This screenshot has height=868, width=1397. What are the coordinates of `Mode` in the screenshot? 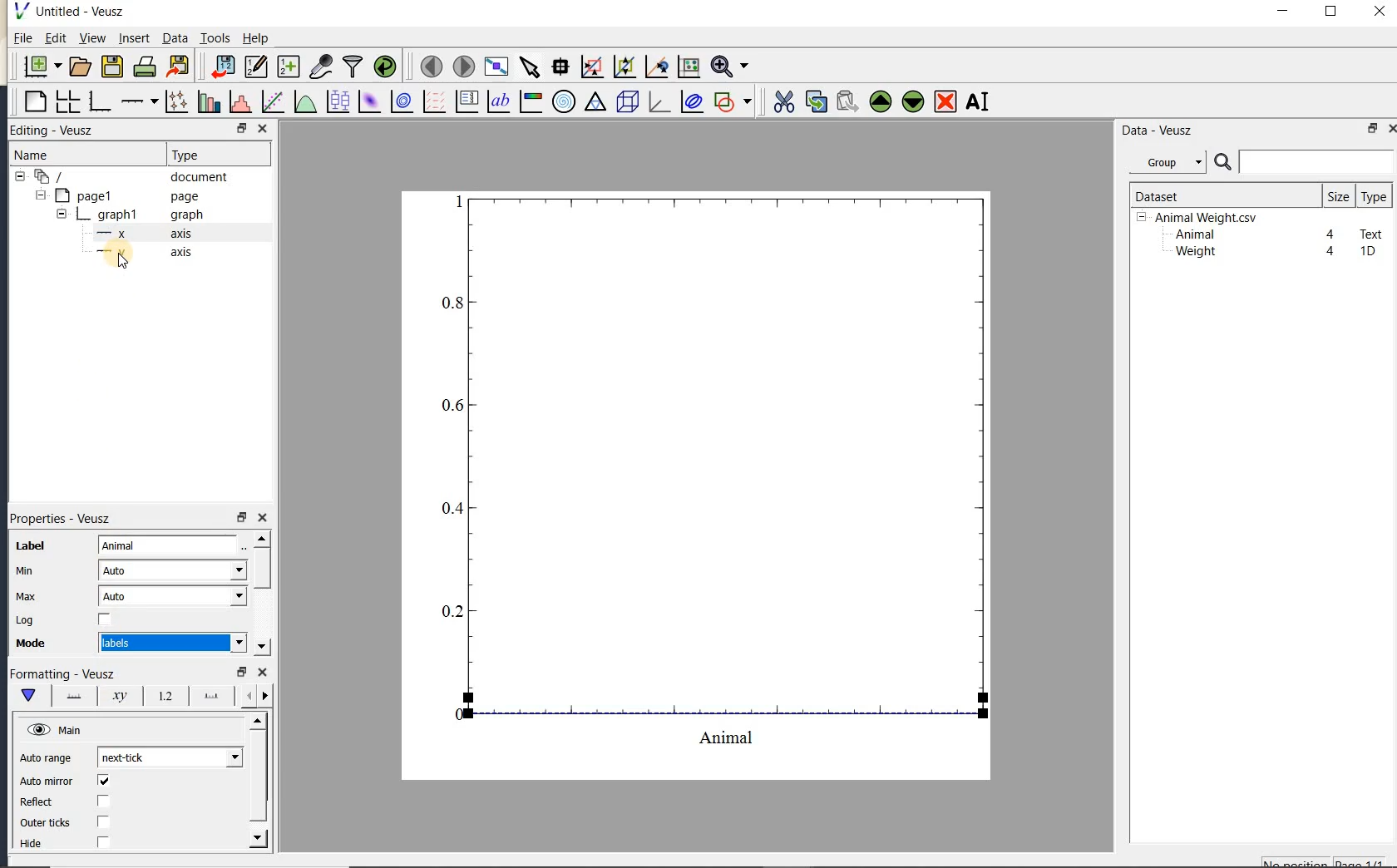 It's located at (28, 644).